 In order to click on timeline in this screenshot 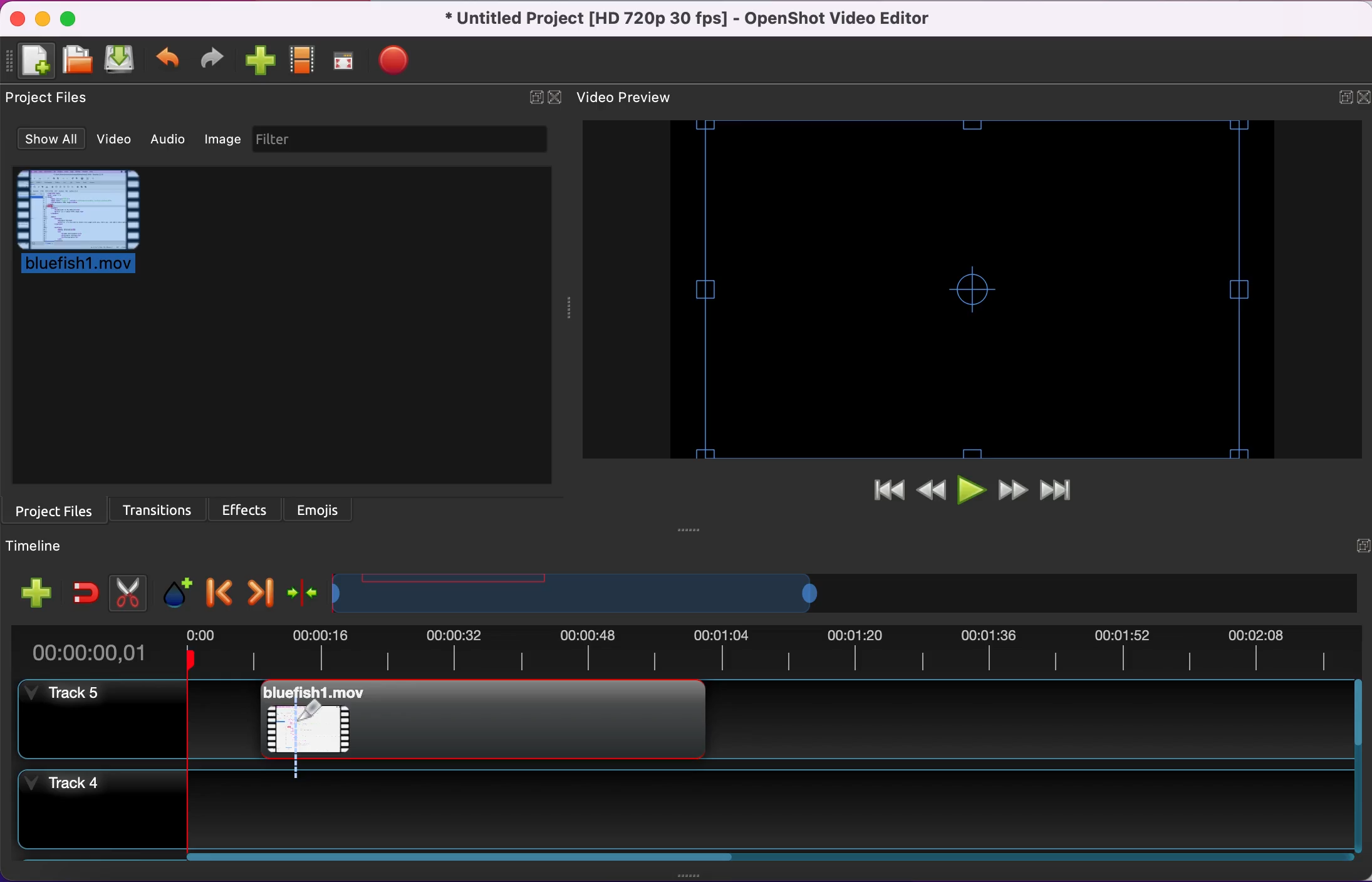, I will do `click(41, 547)`.